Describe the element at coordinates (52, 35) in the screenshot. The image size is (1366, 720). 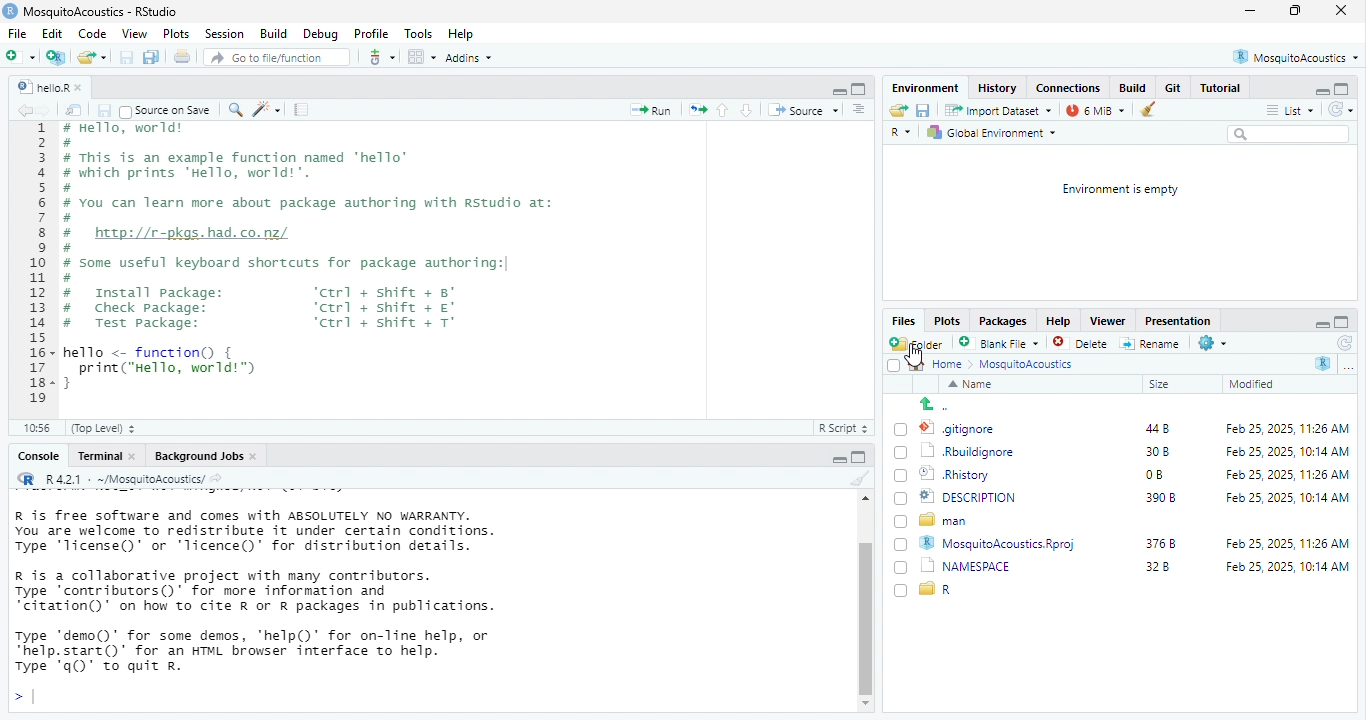
I see `edit` at that location.